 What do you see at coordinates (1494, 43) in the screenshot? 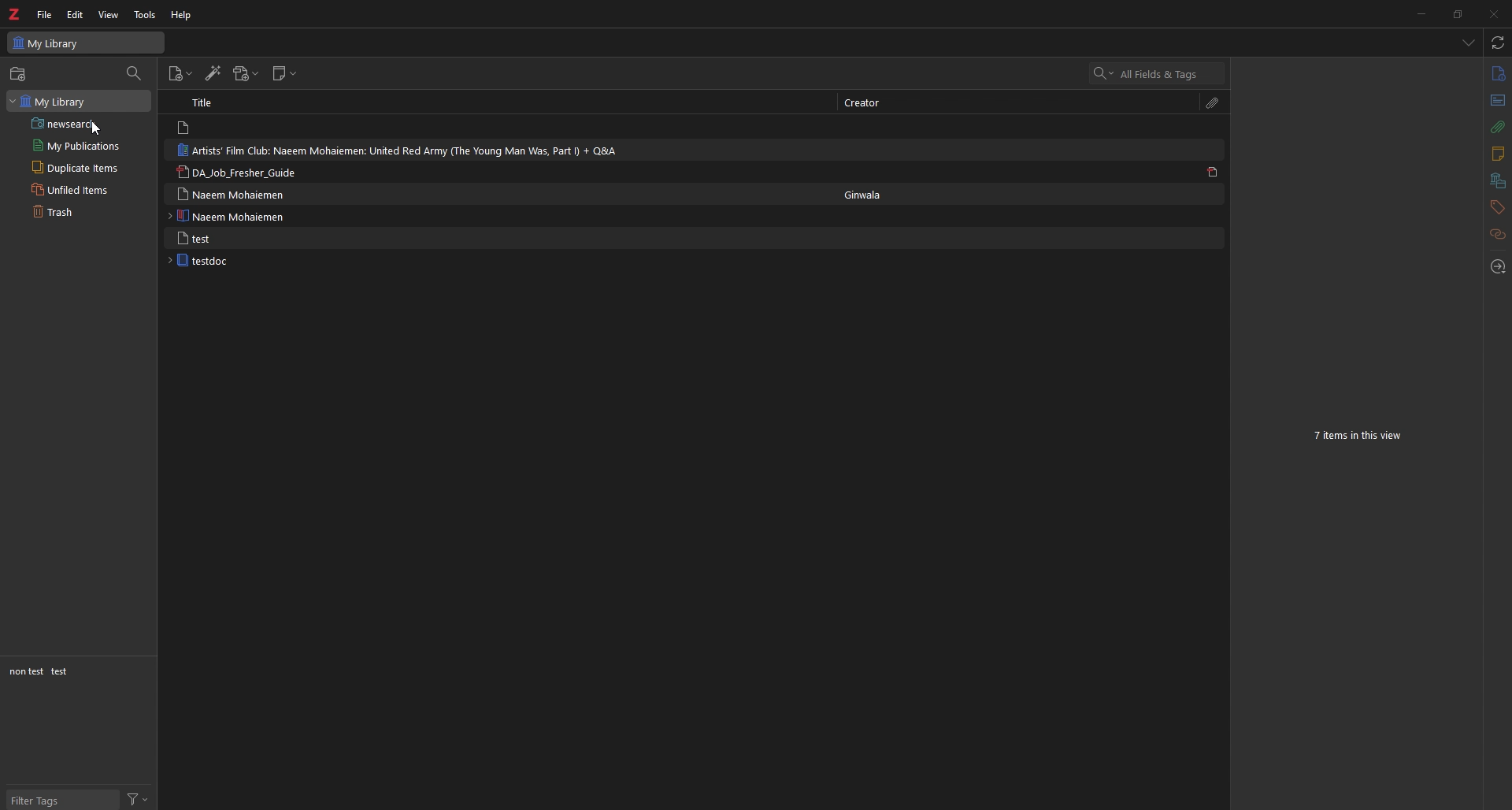
I see `sync with zotero.org` at bounding box center [1494, 43].